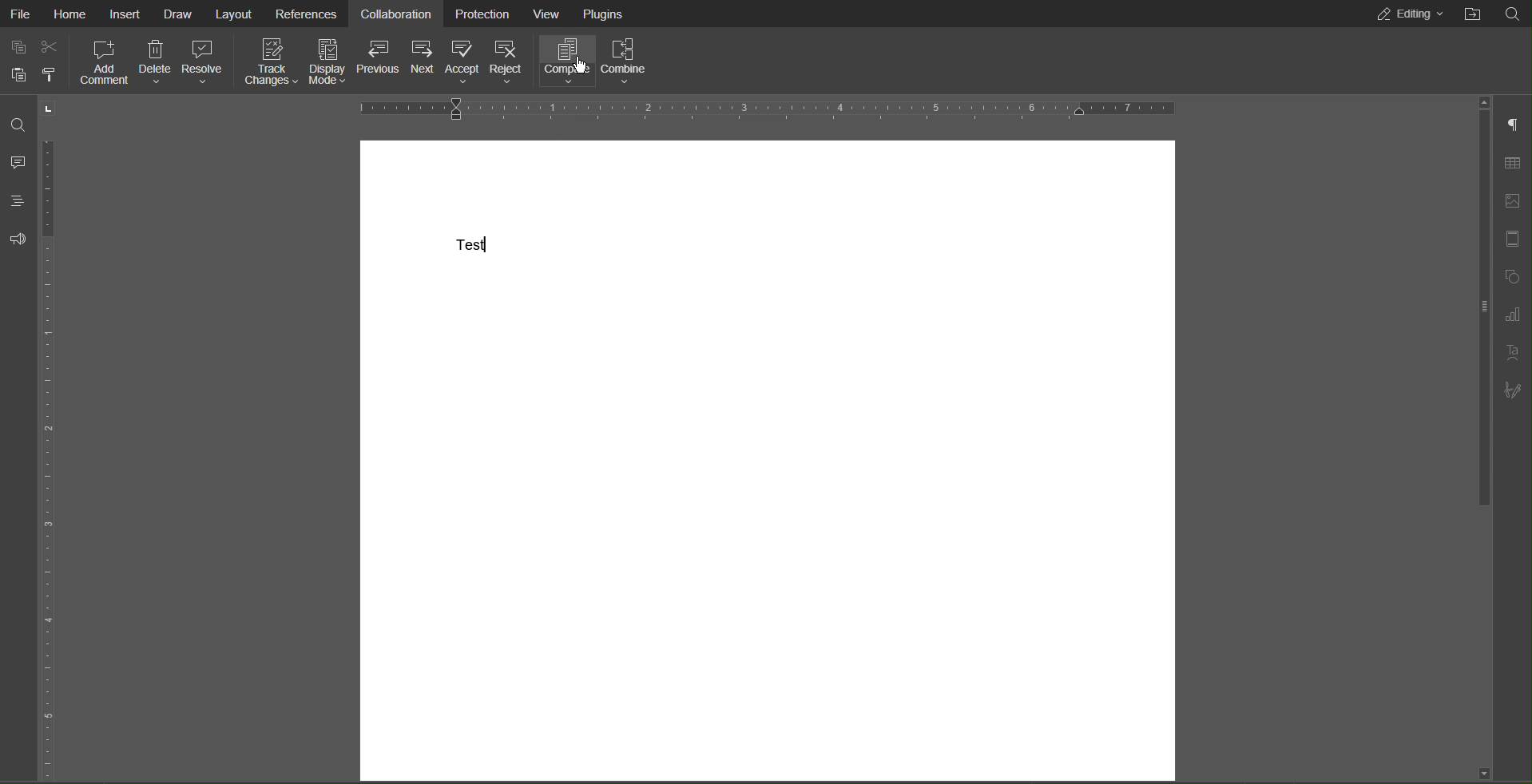  I want to click on Copy, so click(18, 77).